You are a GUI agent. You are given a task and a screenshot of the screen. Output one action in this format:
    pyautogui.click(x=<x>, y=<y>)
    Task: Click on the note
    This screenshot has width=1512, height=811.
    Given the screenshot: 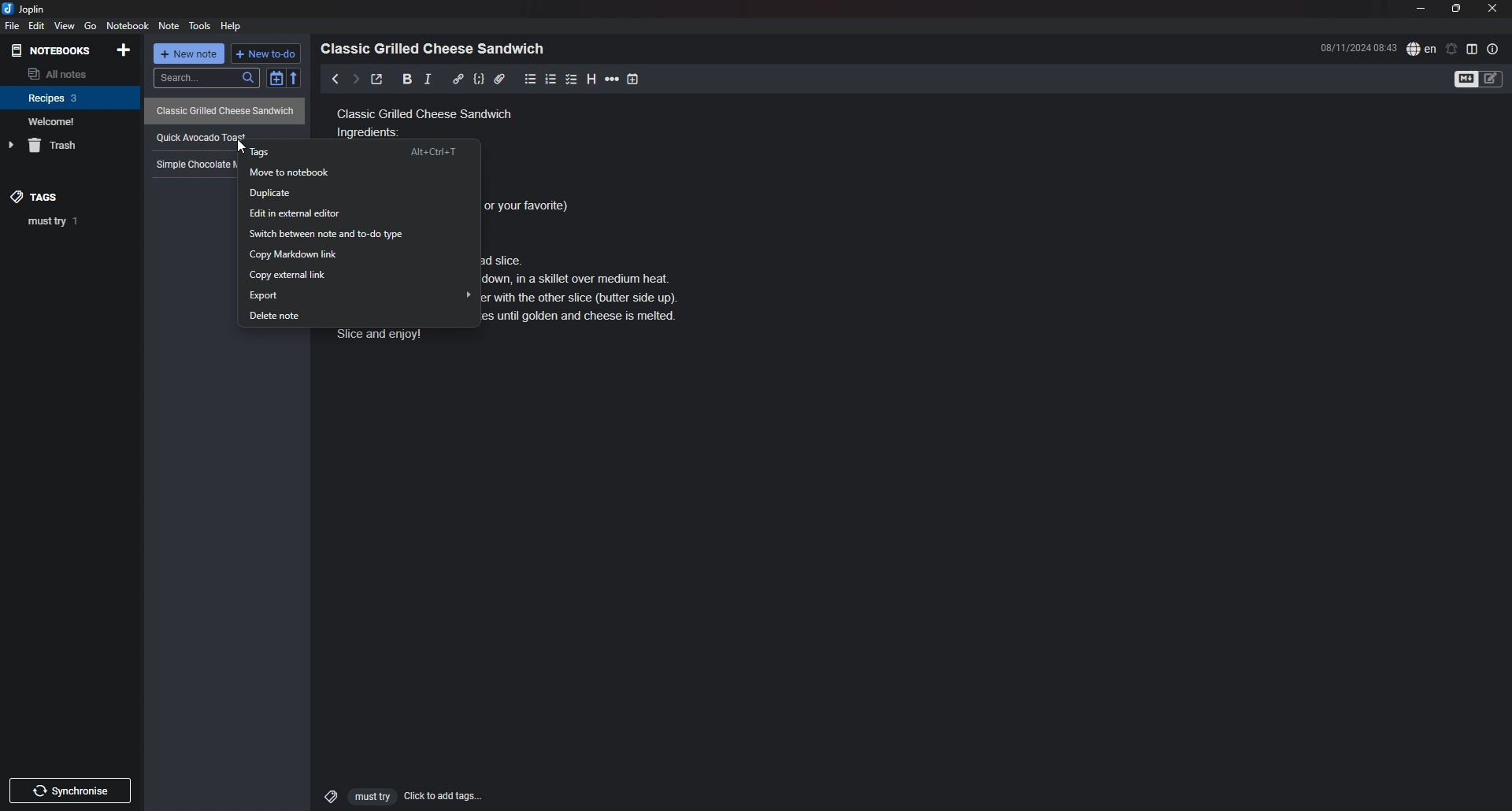 What is the action you would take?
    pyautogui.click(x=169, y=27)
    